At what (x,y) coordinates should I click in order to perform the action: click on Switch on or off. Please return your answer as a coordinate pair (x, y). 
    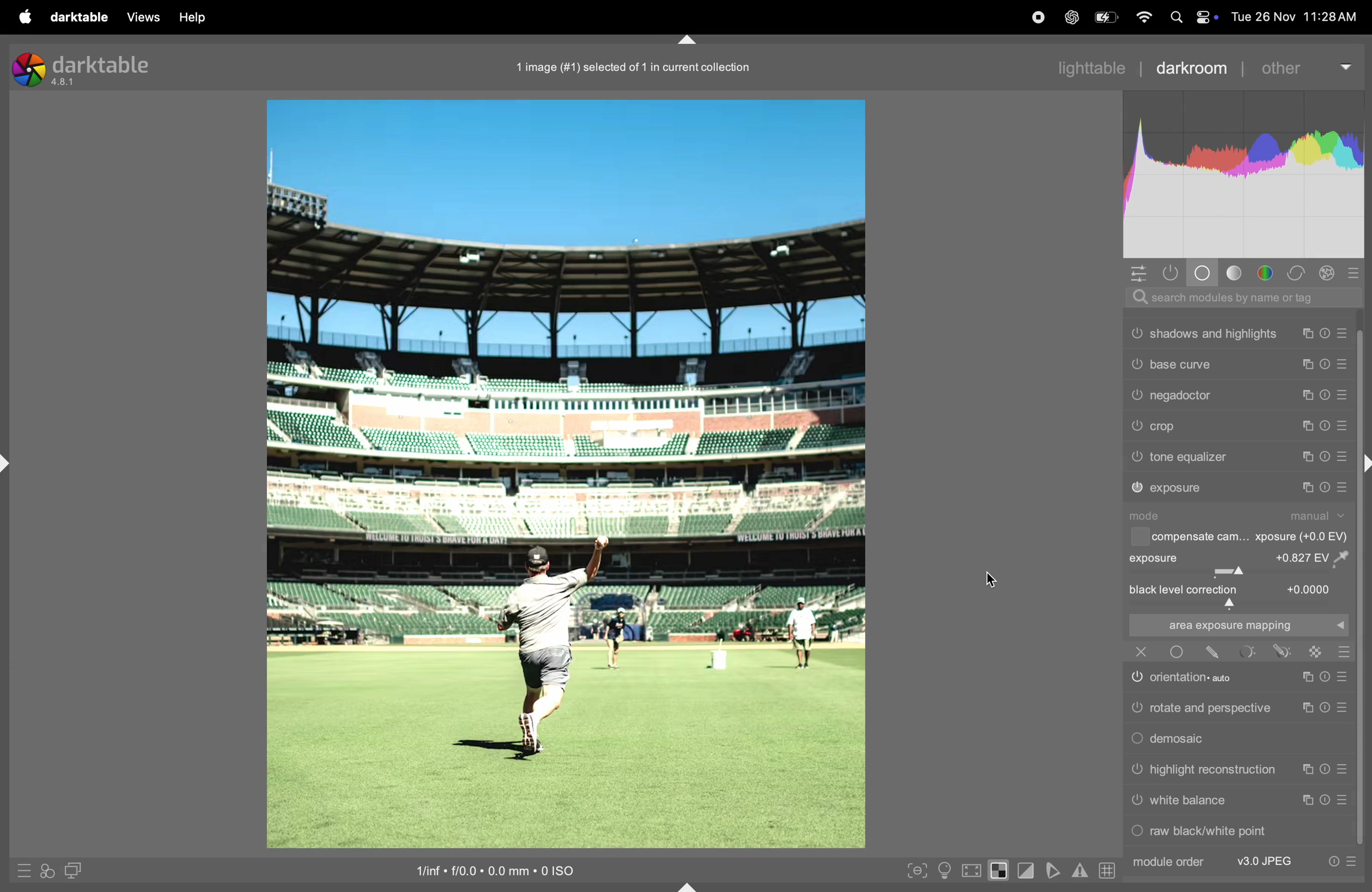
    Looking at the image, I should click on (1136, 770).